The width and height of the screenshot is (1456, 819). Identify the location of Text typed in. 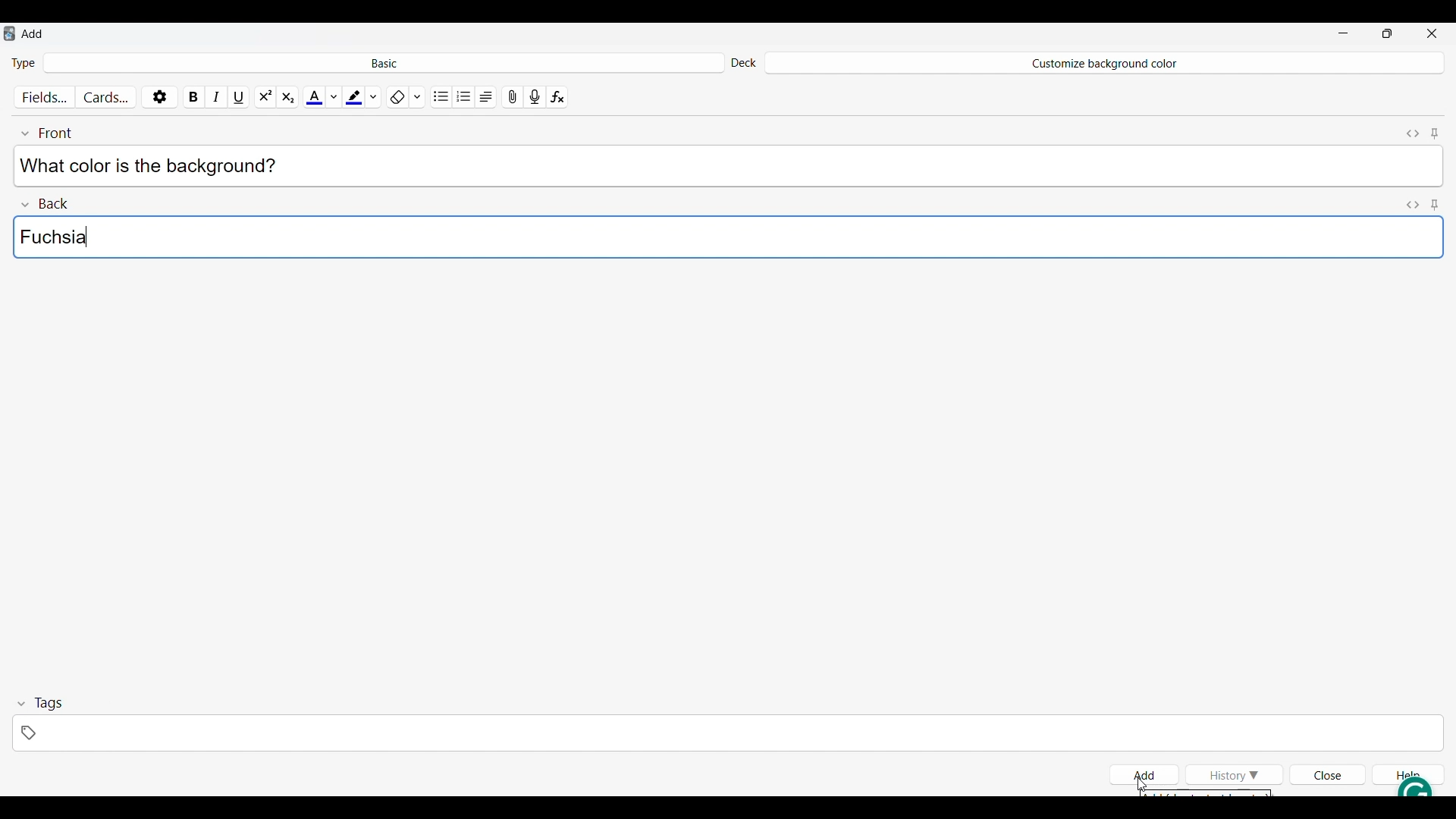
(155, 165).